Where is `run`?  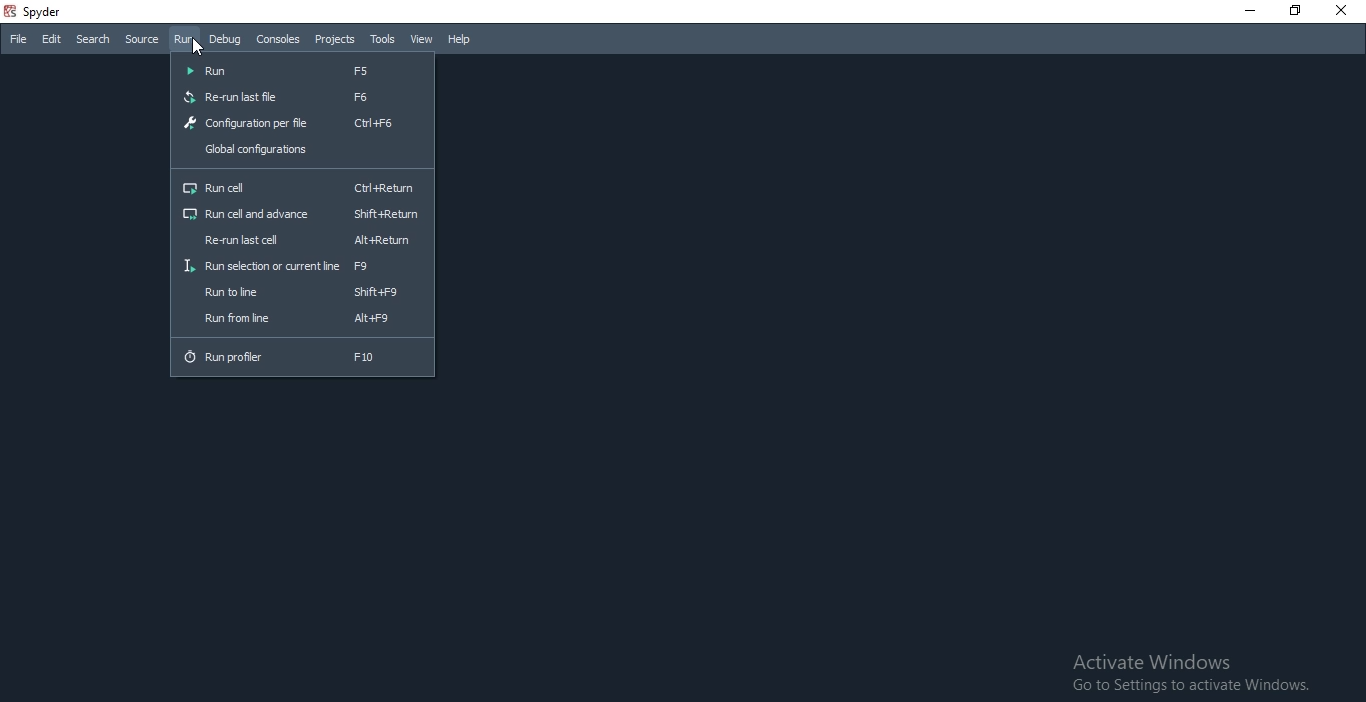
run is located at coordinates (304, 71).